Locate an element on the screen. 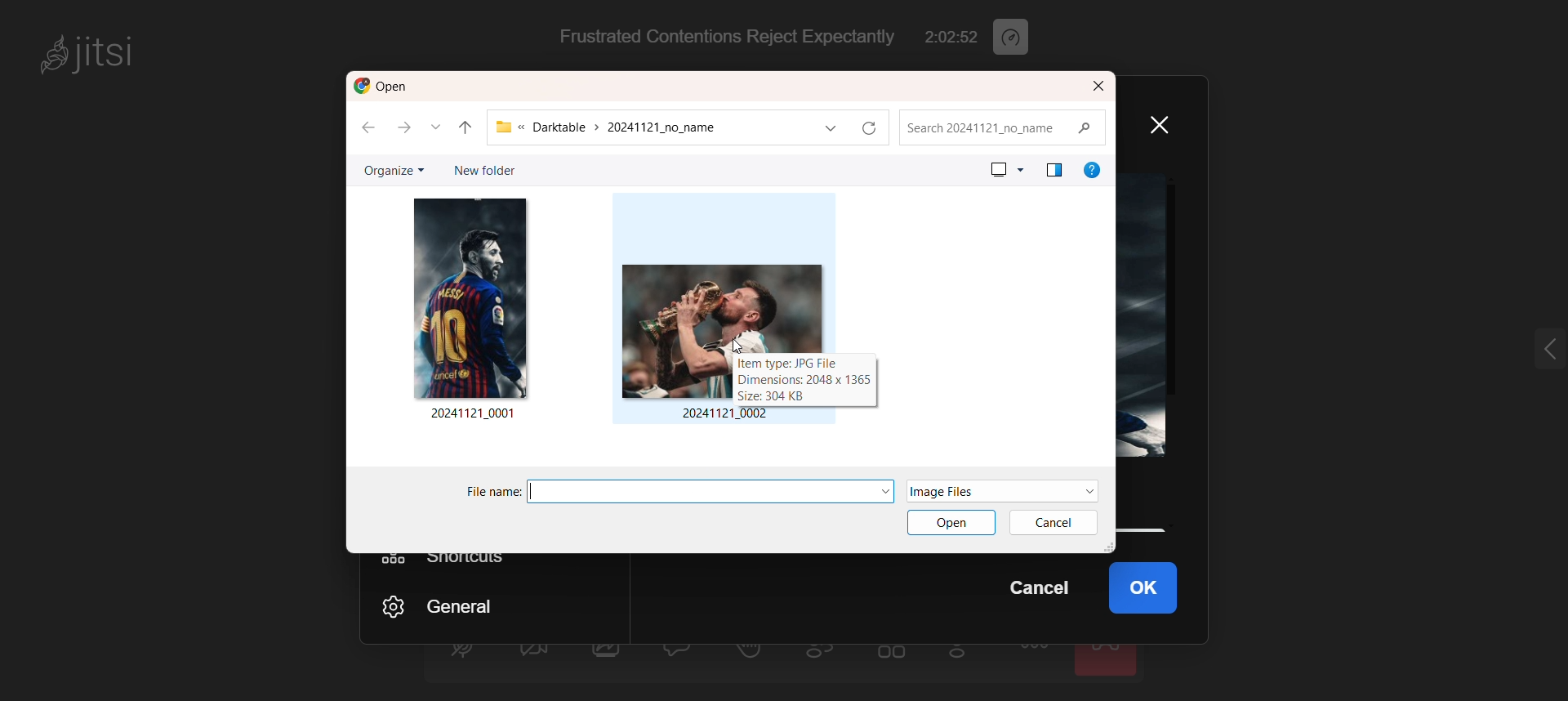 This screenshot has width=1568, height=701. start camera is located at coordinates (532, 656).